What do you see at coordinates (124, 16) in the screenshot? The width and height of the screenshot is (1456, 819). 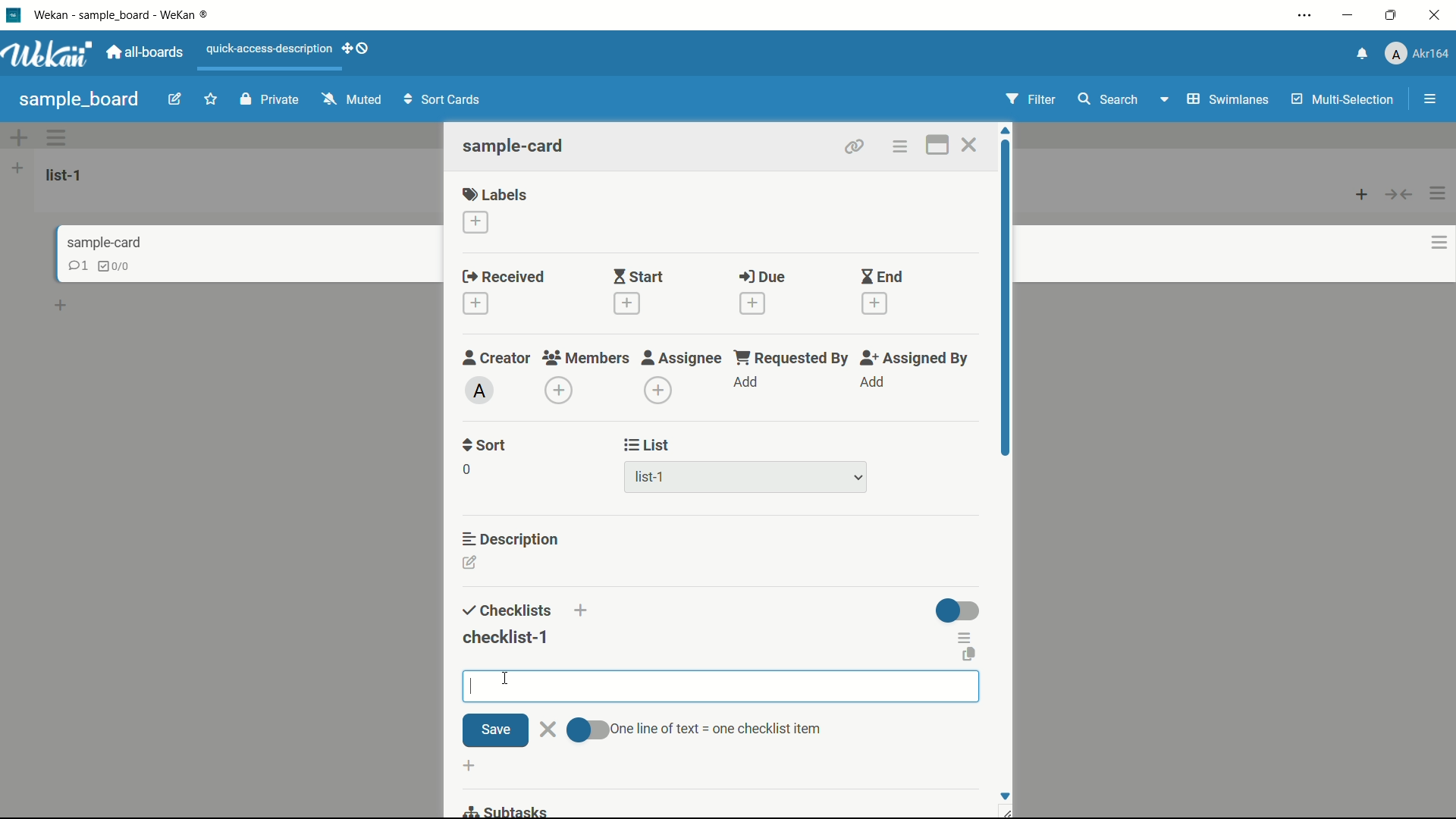 I see `app name` at bounding box center [124, 16].